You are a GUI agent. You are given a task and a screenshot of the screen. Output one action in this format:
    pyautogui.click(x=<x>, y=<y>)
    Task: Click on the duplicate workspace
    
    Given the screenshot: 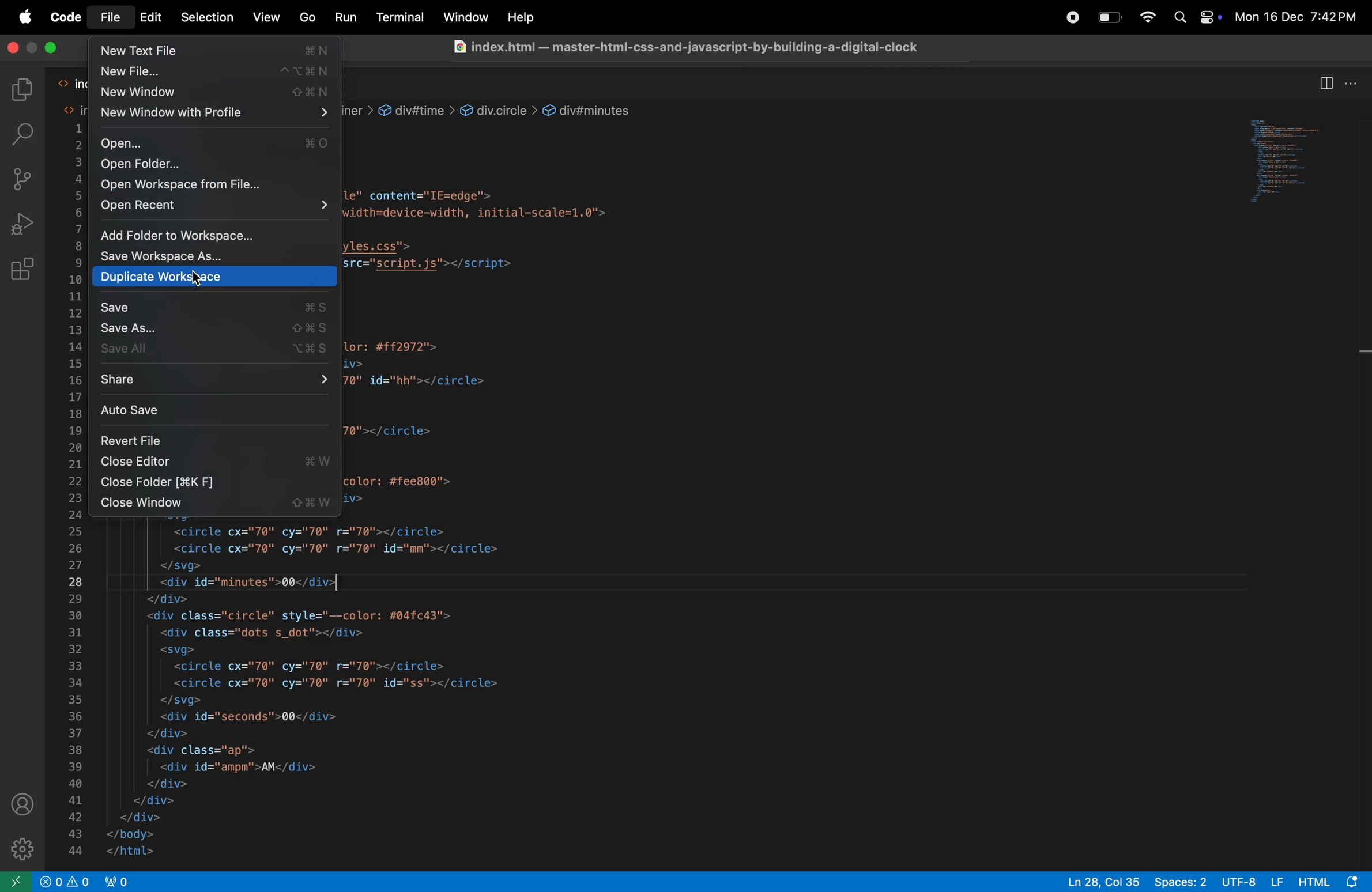 What is the action you would take?
    pyautogui.click(x=213, y=281)
    